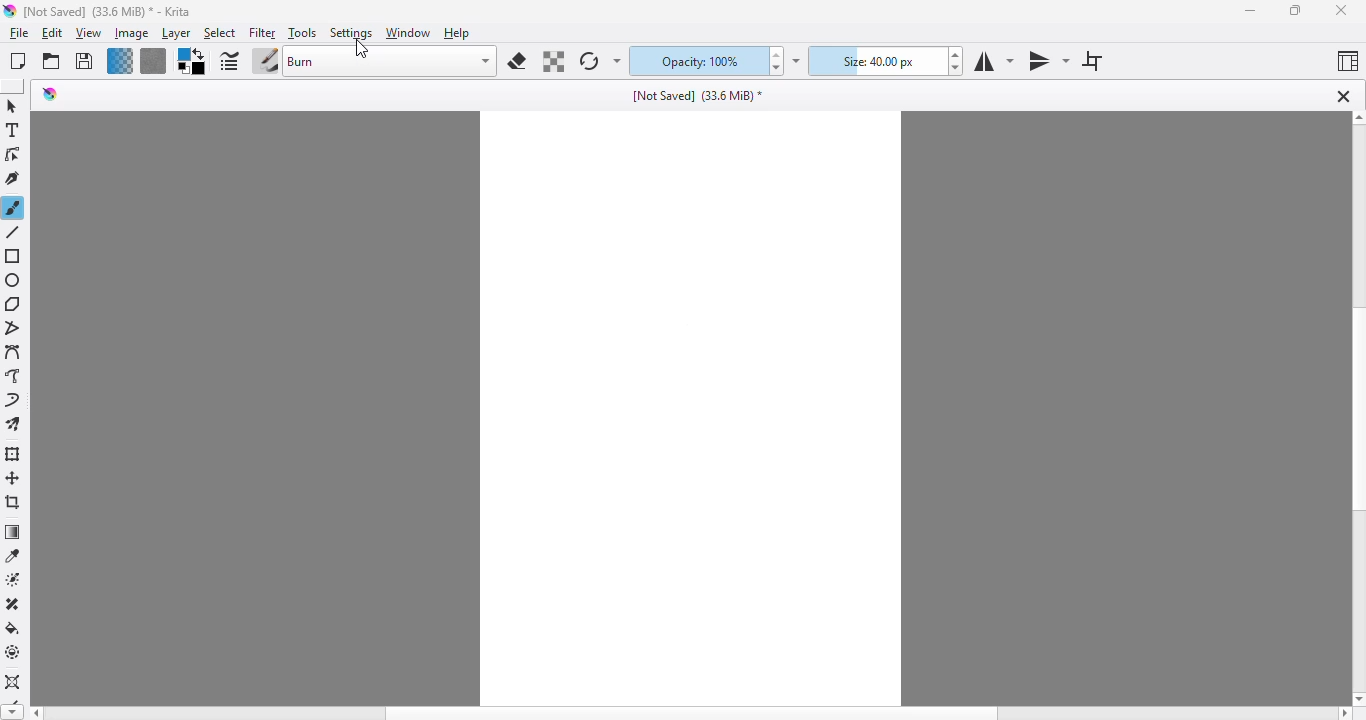  Describe the element at coordinates (15, 232) in the screenshot. I see `line tool` at that location.